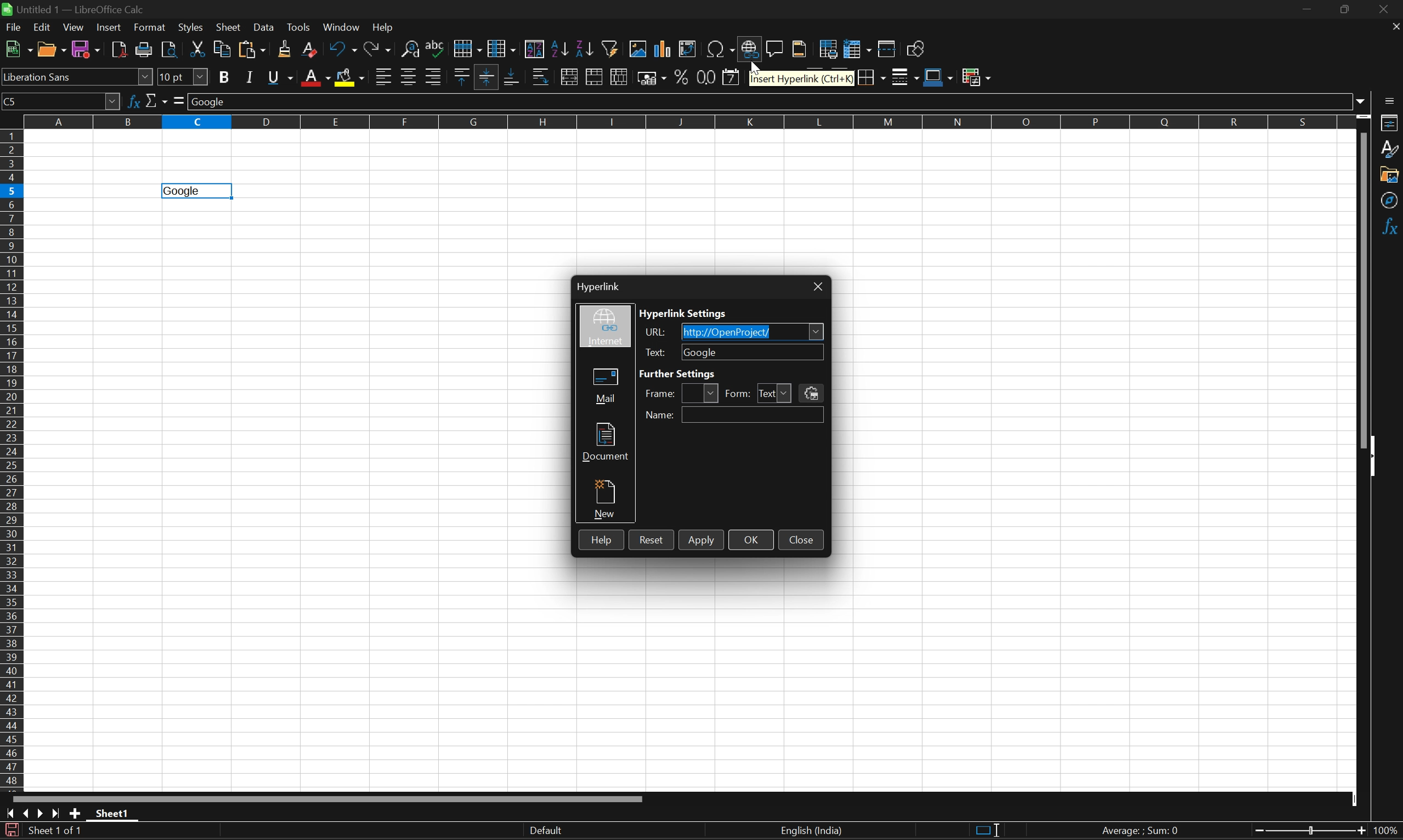 The width and height of the screenshot is (1403, 840). What do you see at coordinates (751, 540) in the screenshot?
I see `OK` at bounding box center [751, 540].